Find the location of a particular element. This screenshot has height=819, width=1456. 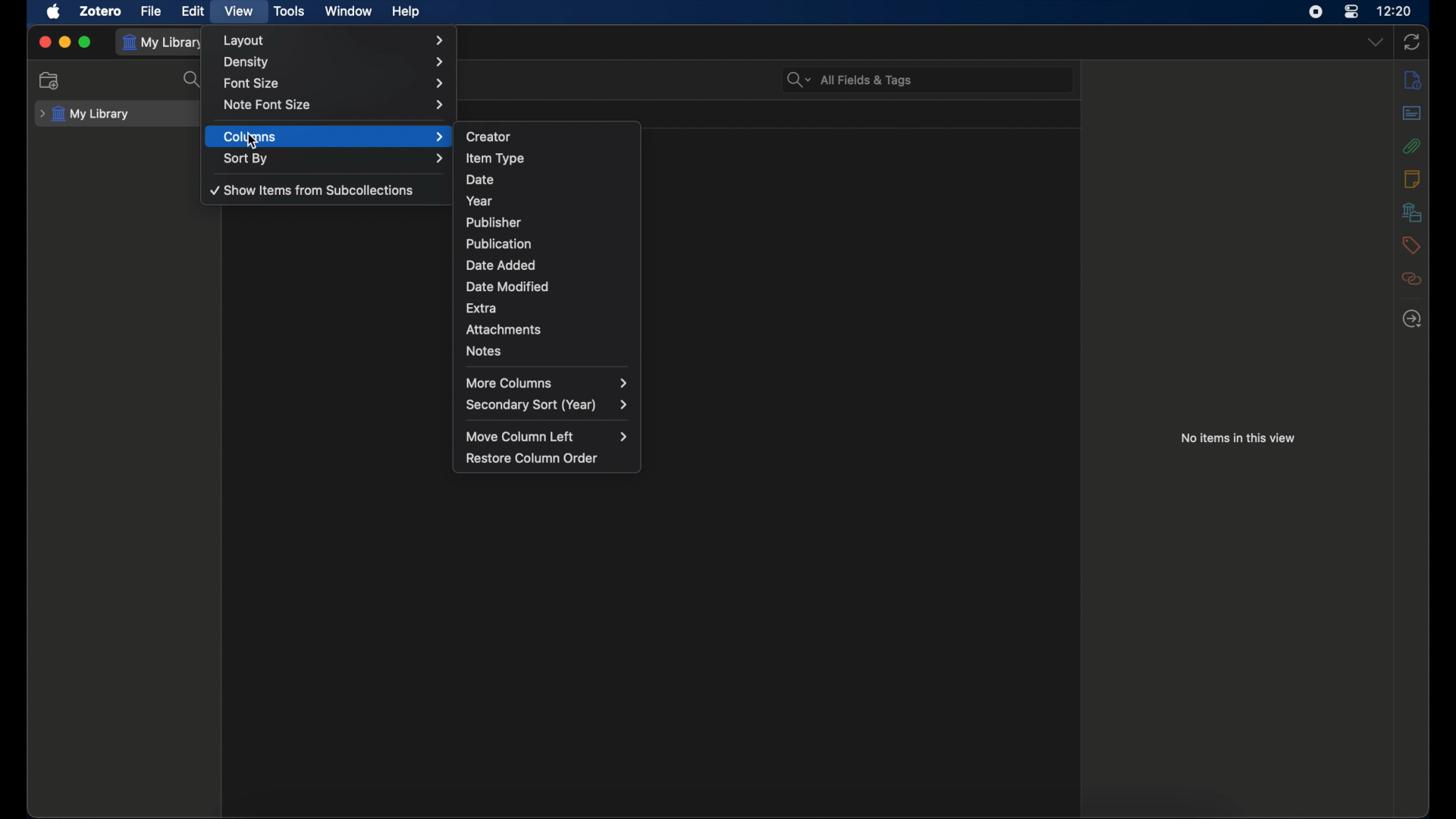

minimize is located at coordinates (65, 42).